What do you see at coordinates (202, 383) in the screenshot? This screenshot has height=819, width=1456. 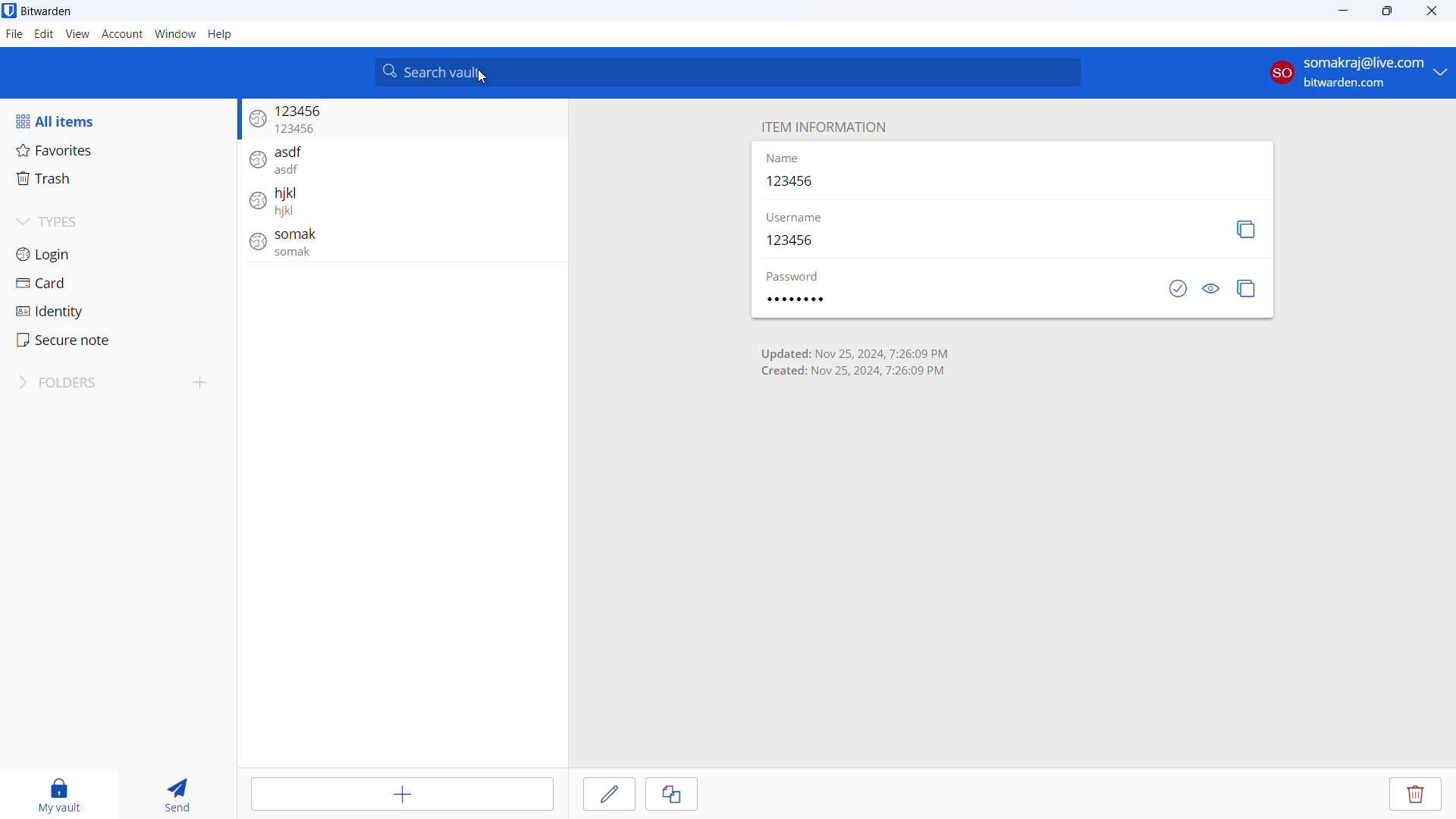 I see `add folder` at bounding box center [202, 383].